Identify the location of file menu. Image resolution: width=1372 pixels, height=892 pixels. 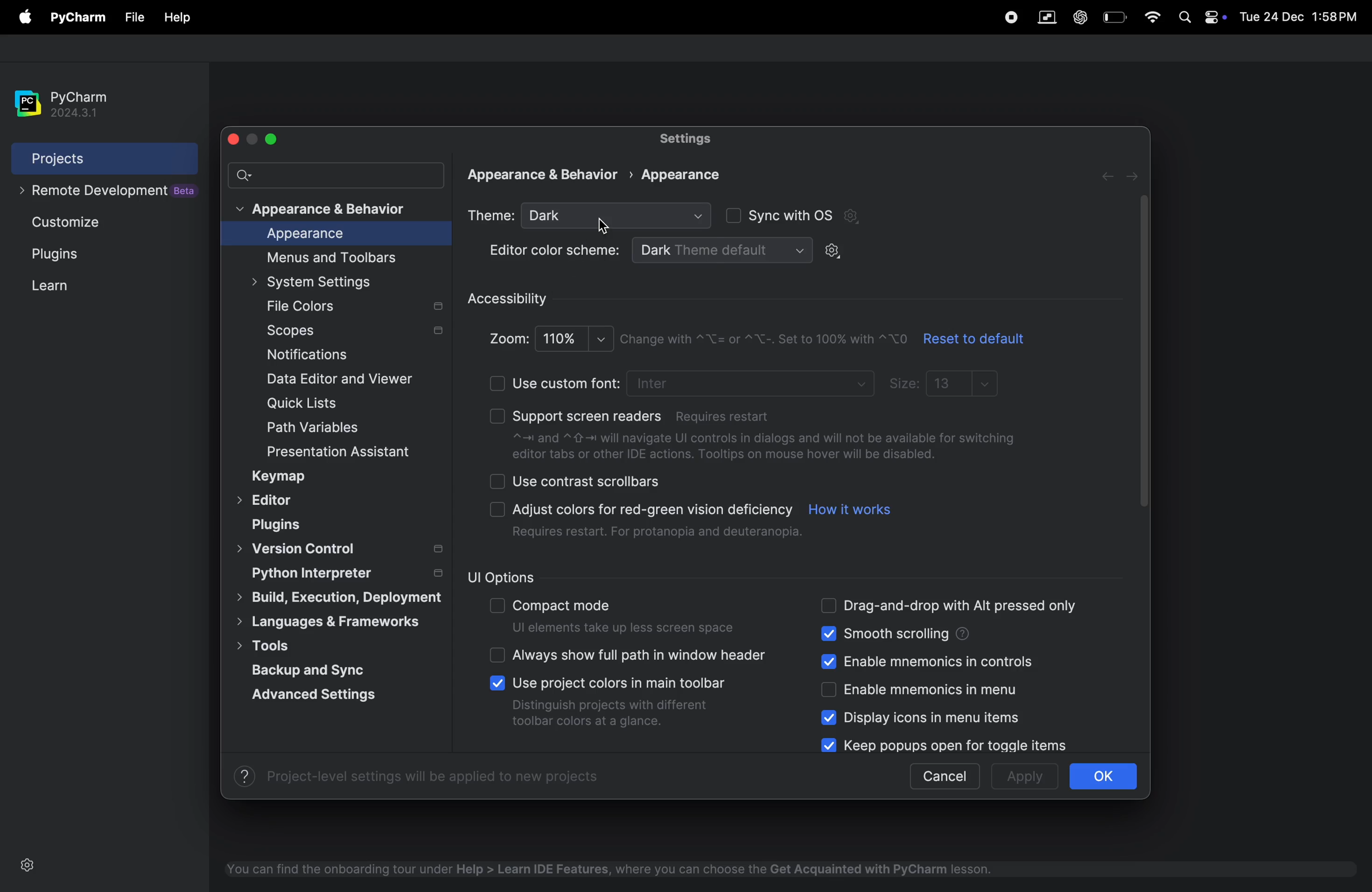
(22, 17).